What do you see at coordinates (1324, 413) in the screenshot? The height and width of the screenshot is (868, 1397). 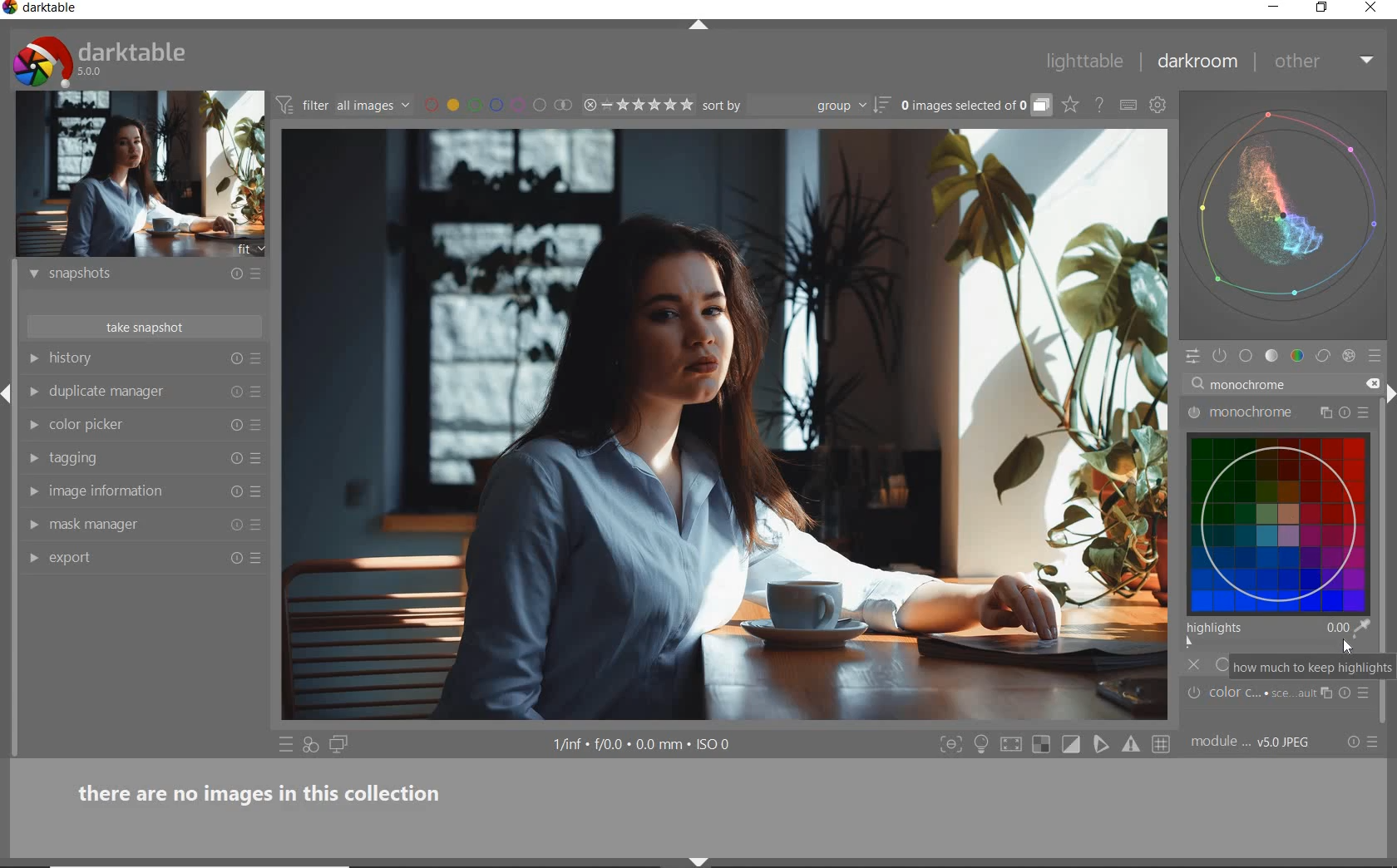 I see `multiple instance actions` at bounding box center [1324, 413].